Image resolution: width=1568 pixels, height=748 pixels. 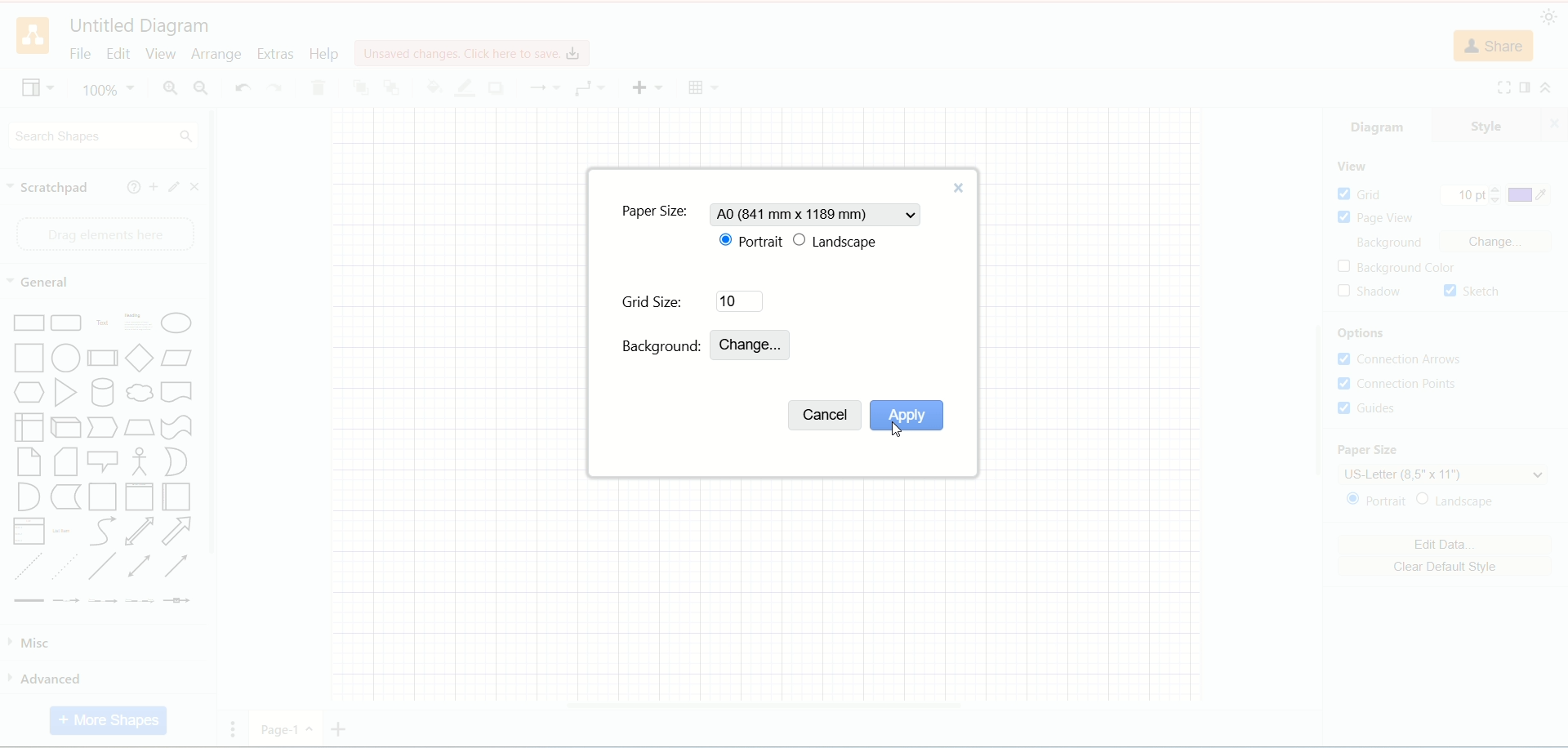 What do you see at coordinates (753, 345) in the screenshot?
I see `change` at bounding box center [753, 345].